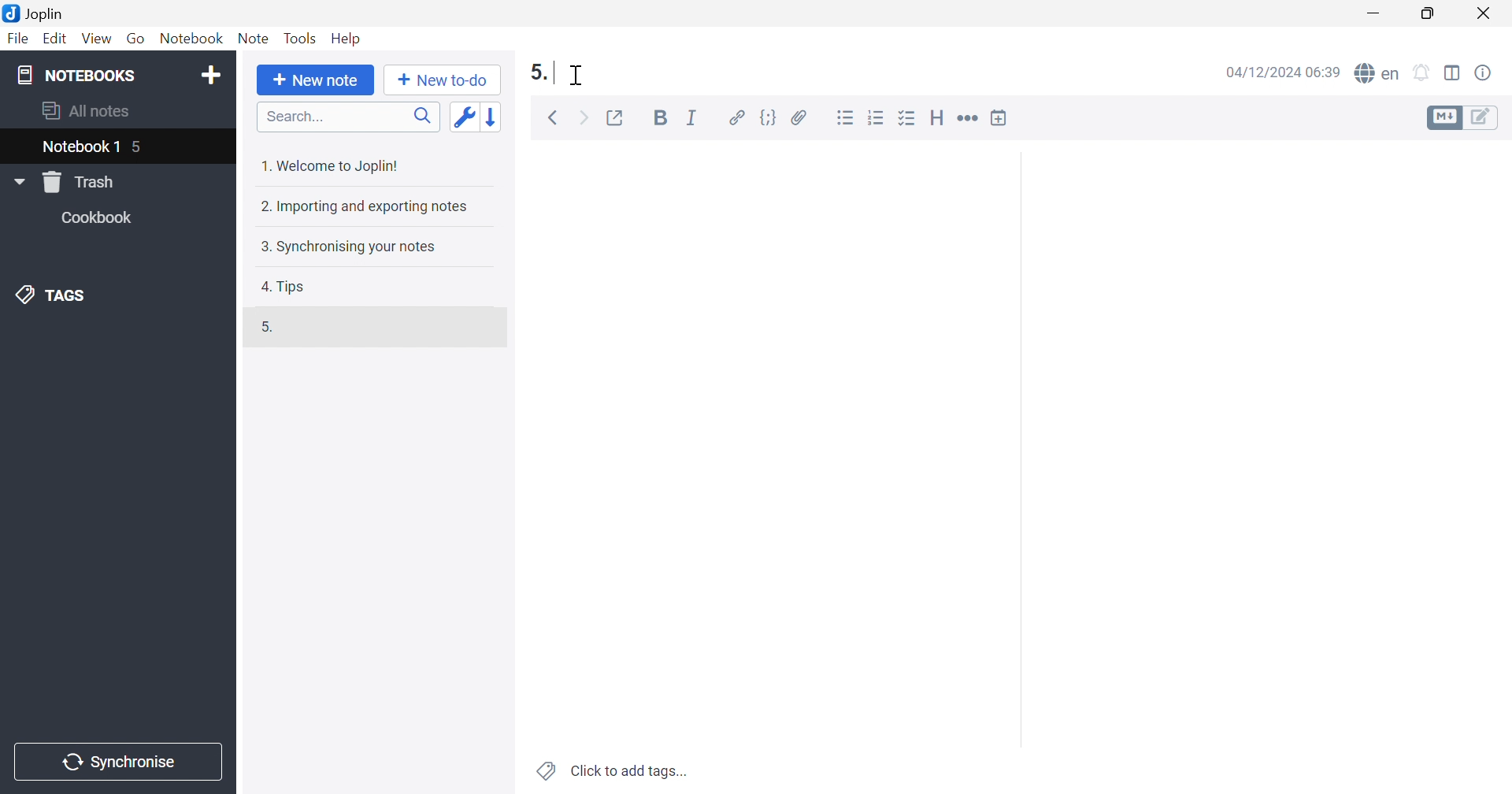 Image resolution: width=1512 pixels, height=794 pixels. What do you see at coordinates (136, 38) in the screenshot?
I see `Go` at bounding box center [136, 38].